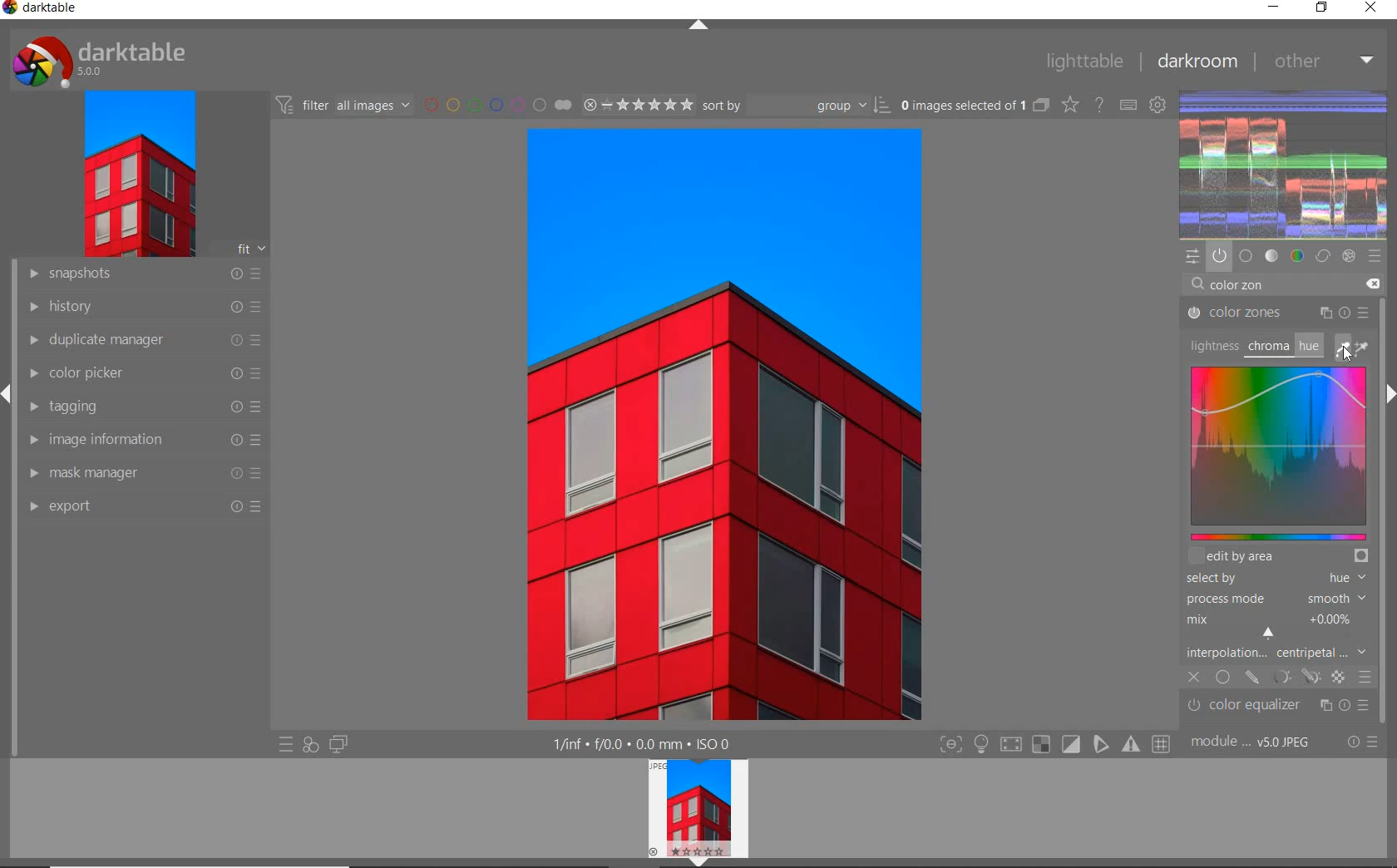 The width and height of the screenshot is (1397, 868). Describe the element at coordinates (1354, 348) in the screenshot. I see `PICKER TOOLS` at that location.